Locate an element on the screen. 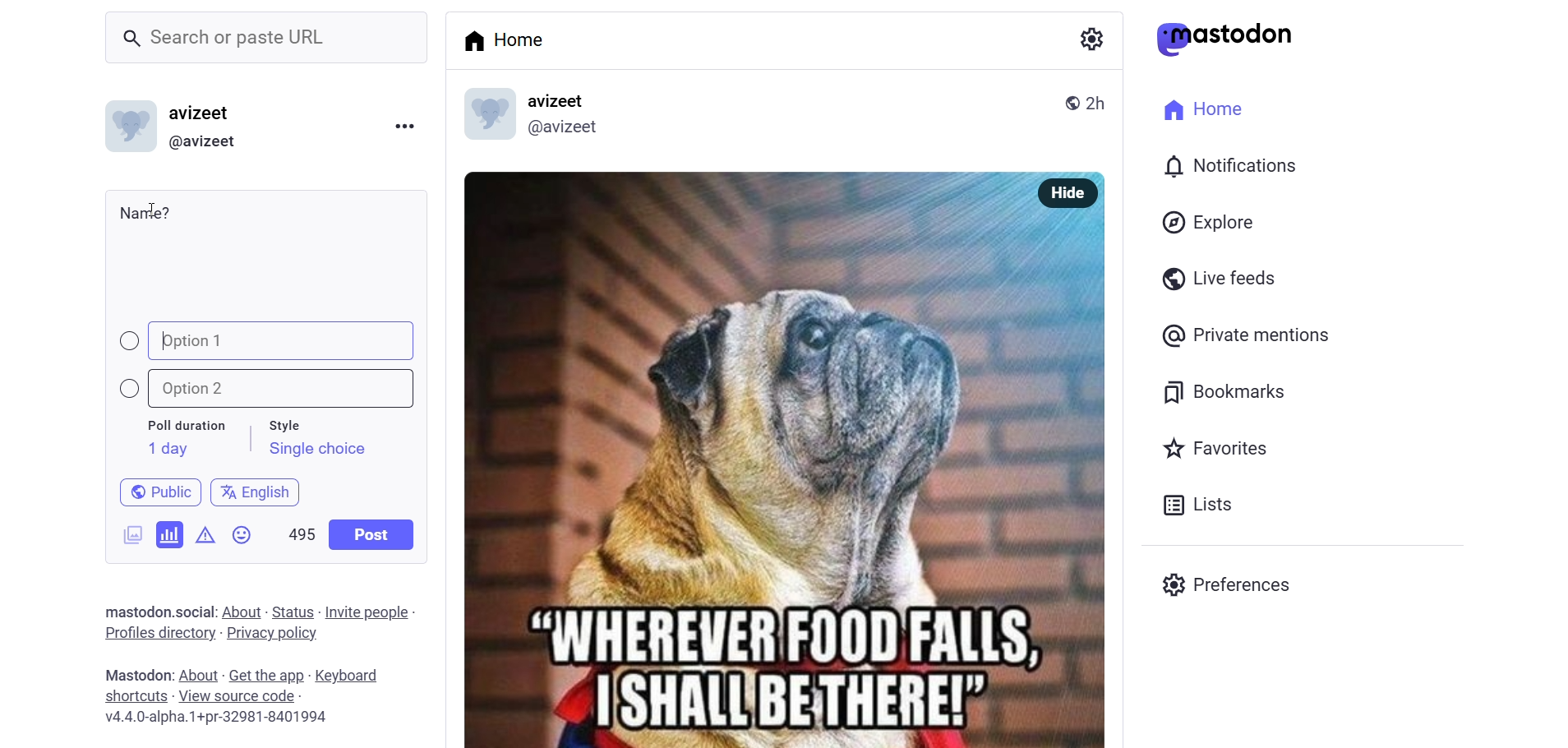  english is located at coordinates (256, 489).